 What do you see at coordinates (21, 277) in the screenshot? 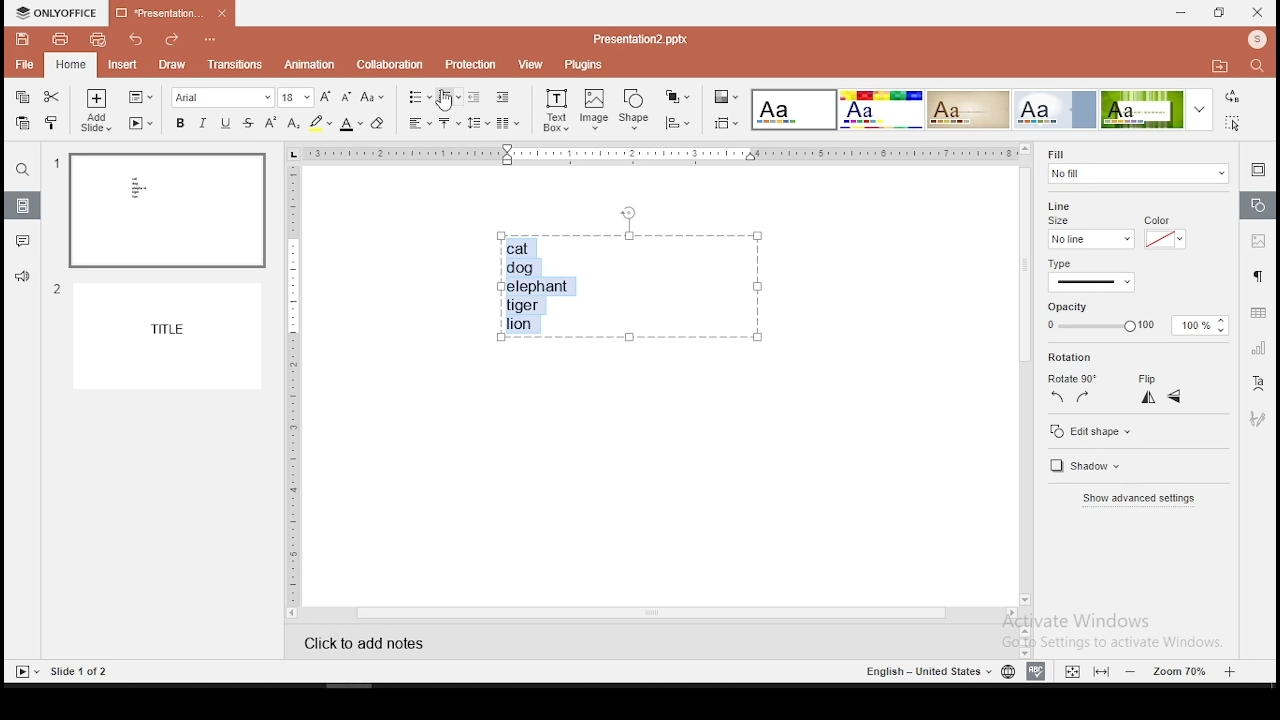
I see `support and feedback` at bounding box center [21, 277].